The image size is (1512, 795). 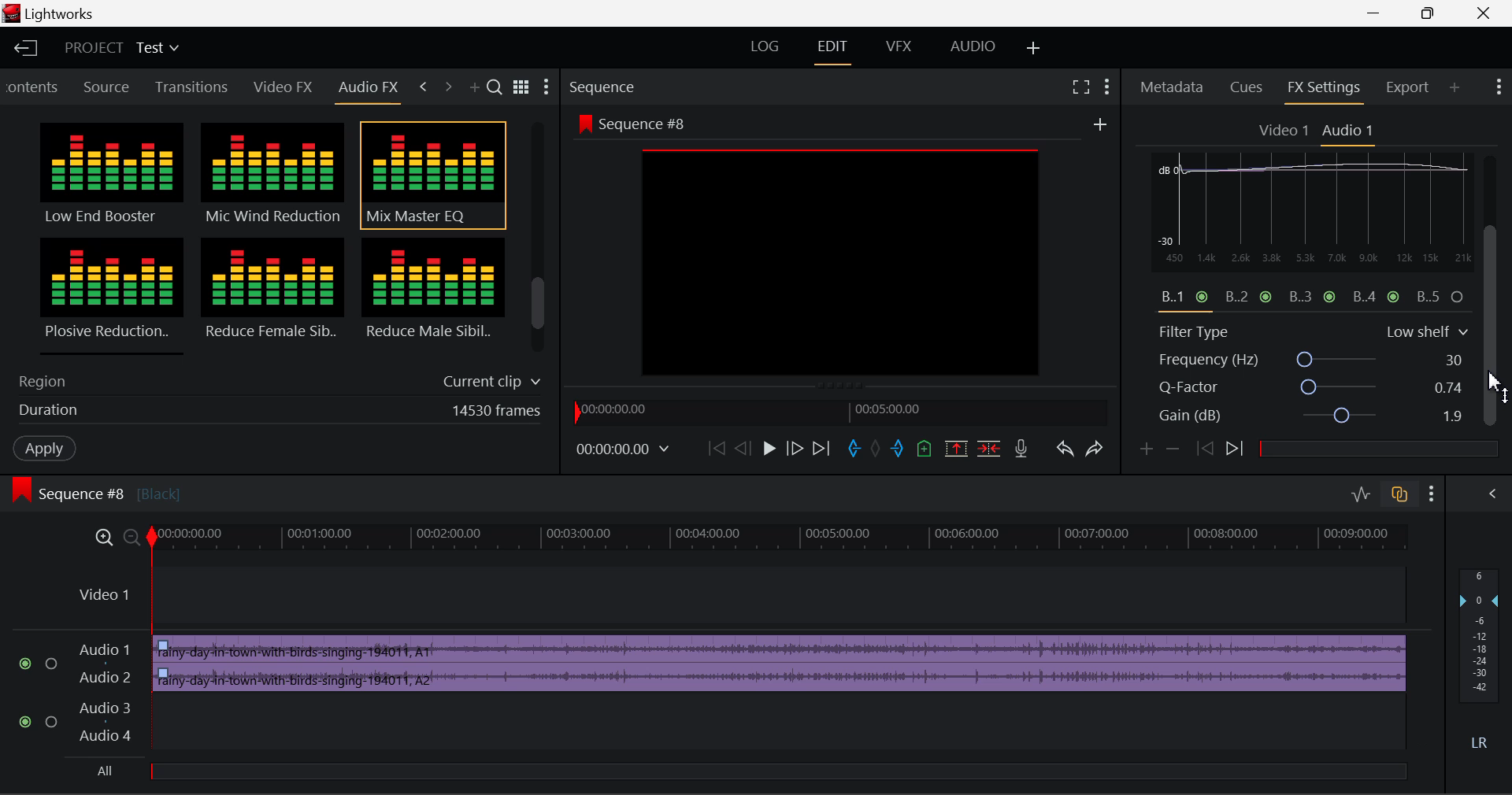 I want to click on Video FX, so click(x=279, y=88).